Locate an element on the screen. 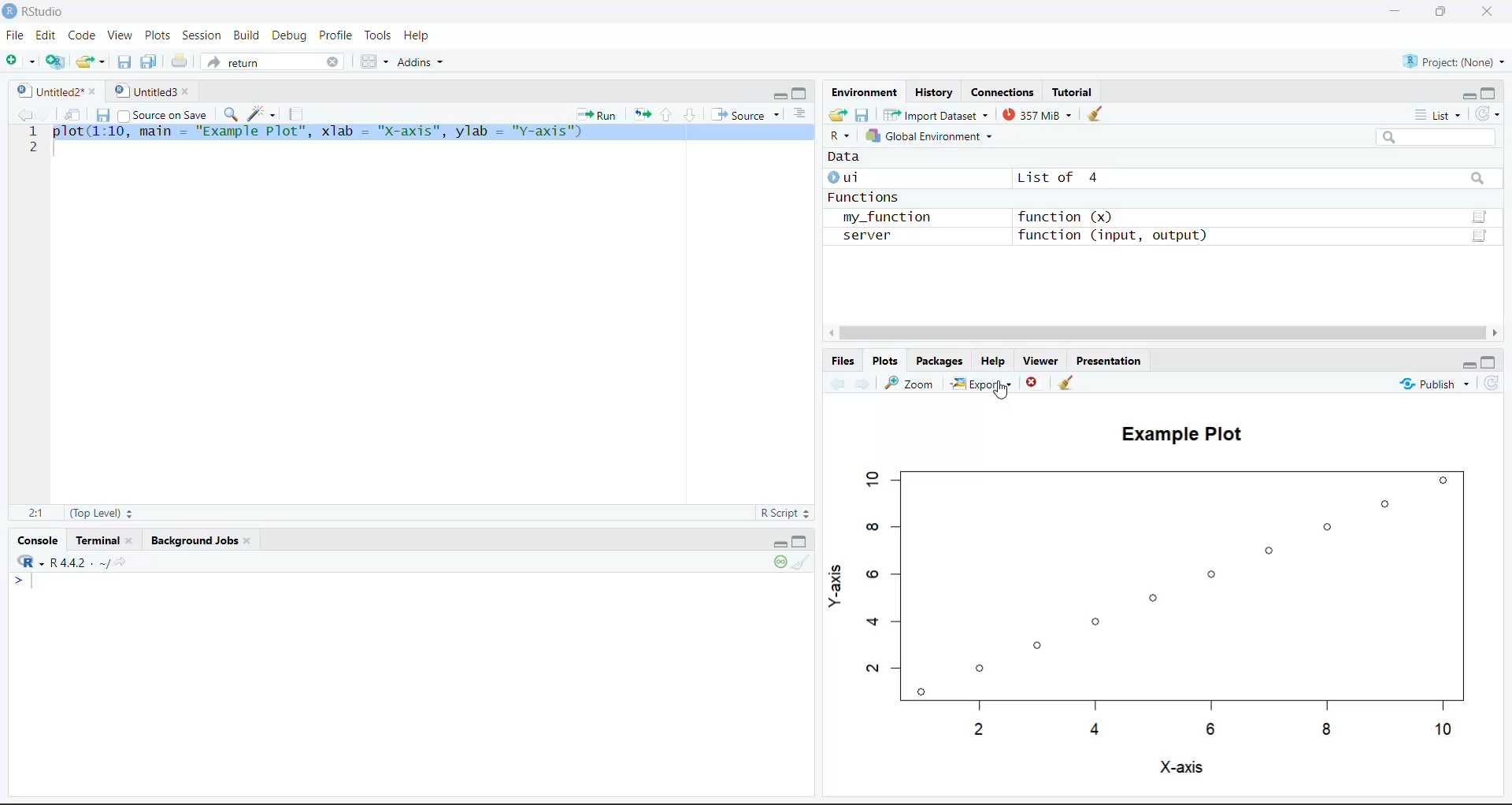 This screenshot has height=805, width=1512. Files is located at coordinates (844, 361).